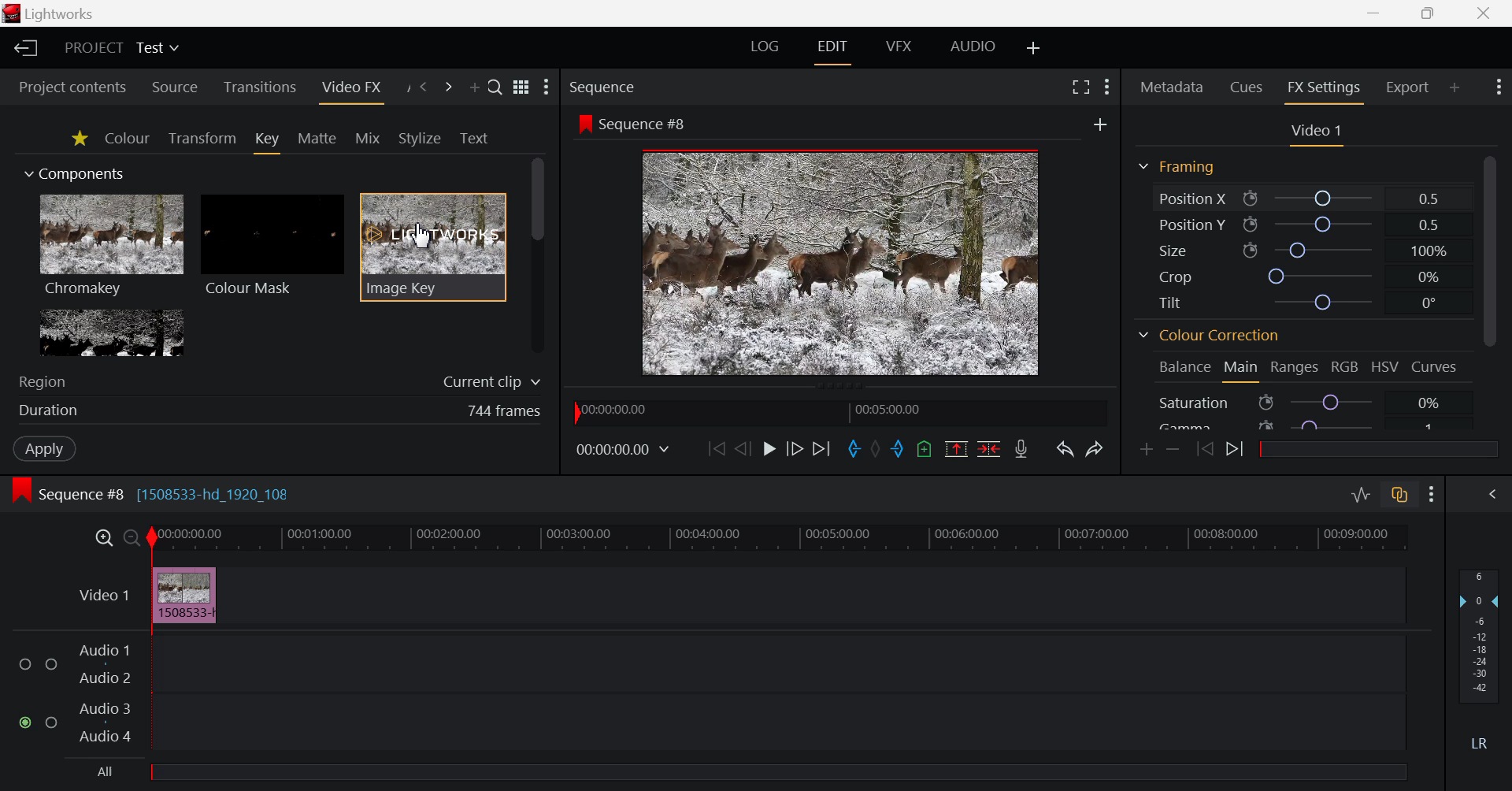 Image resolution: width=1512 pixels, height=791 pixels. I want to click on Favorites, so click(80, 141).